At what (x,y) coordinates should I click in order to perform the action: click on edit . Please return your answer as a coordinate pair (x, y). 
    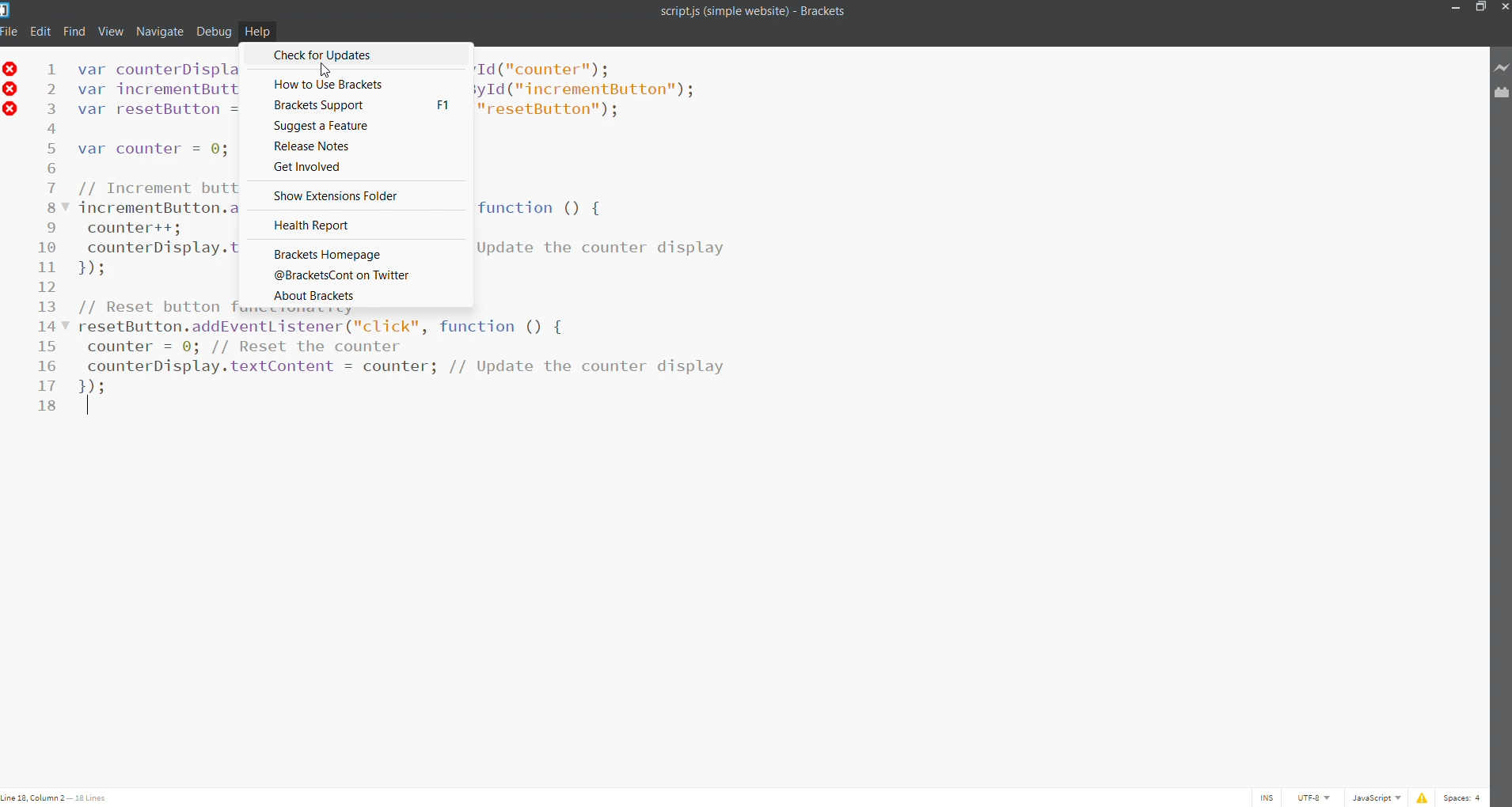
    Looking at the image, I should click on (40, 30).